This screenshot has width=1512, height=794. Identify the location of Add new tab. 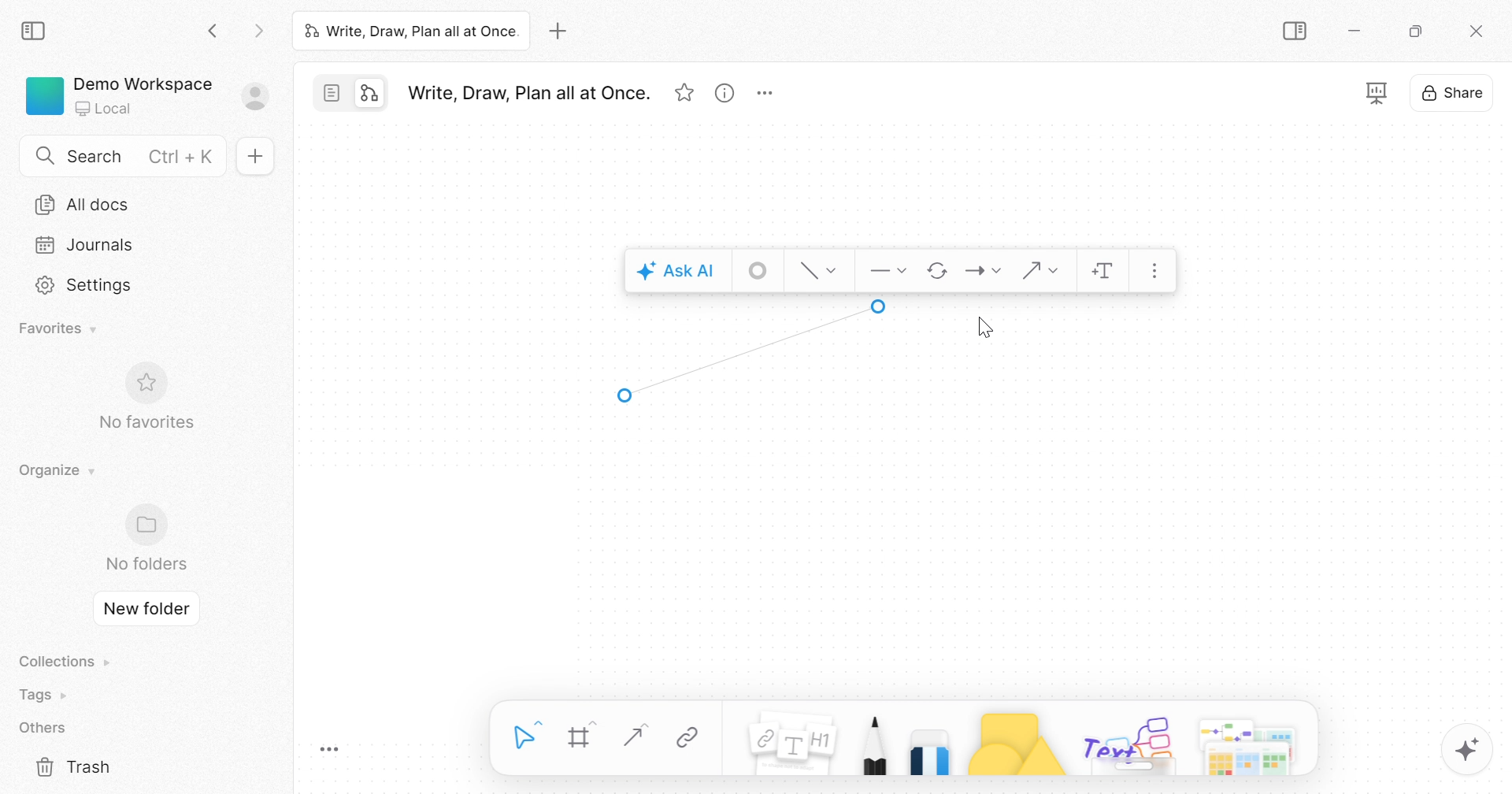
(561, 31).